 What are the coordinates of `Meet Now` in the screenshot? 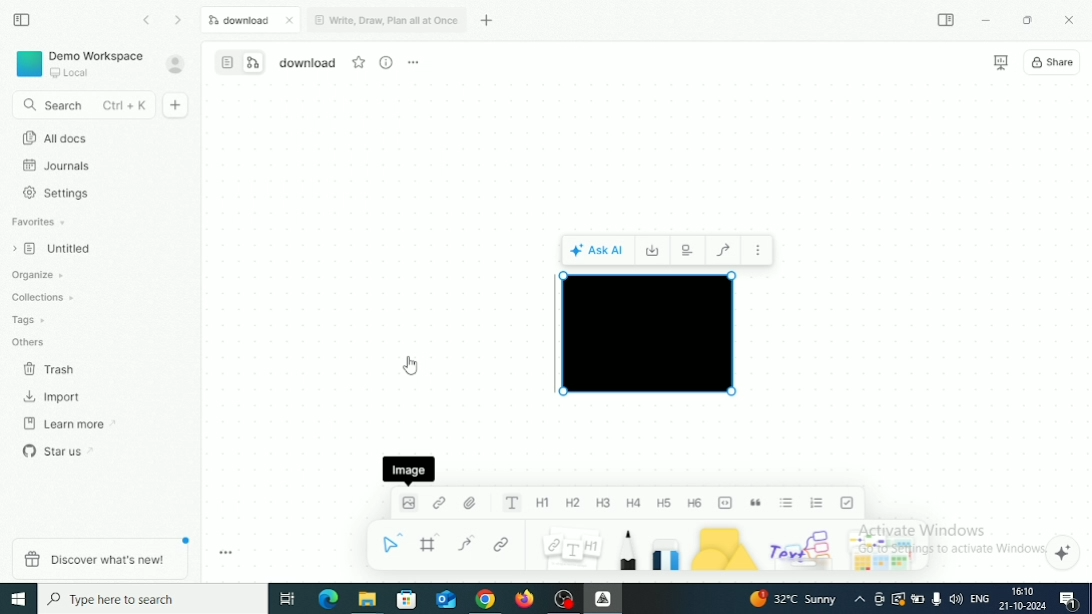 It's located at (879, 599).